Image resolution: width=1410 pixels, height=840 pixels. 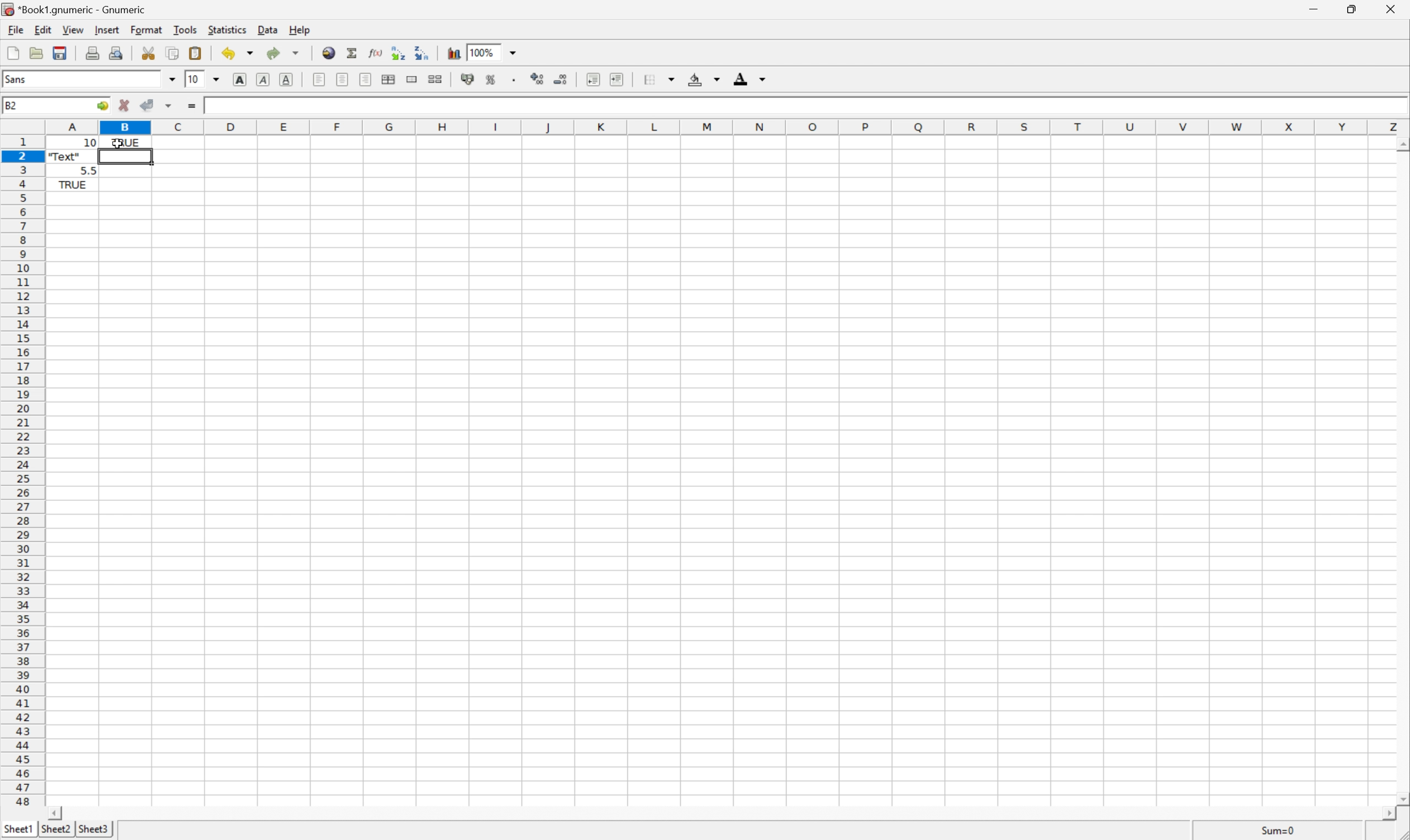 What do you see at coordinates (101, 104) in the screenshot?
I see `Go to` at bounding box center [101, 104].